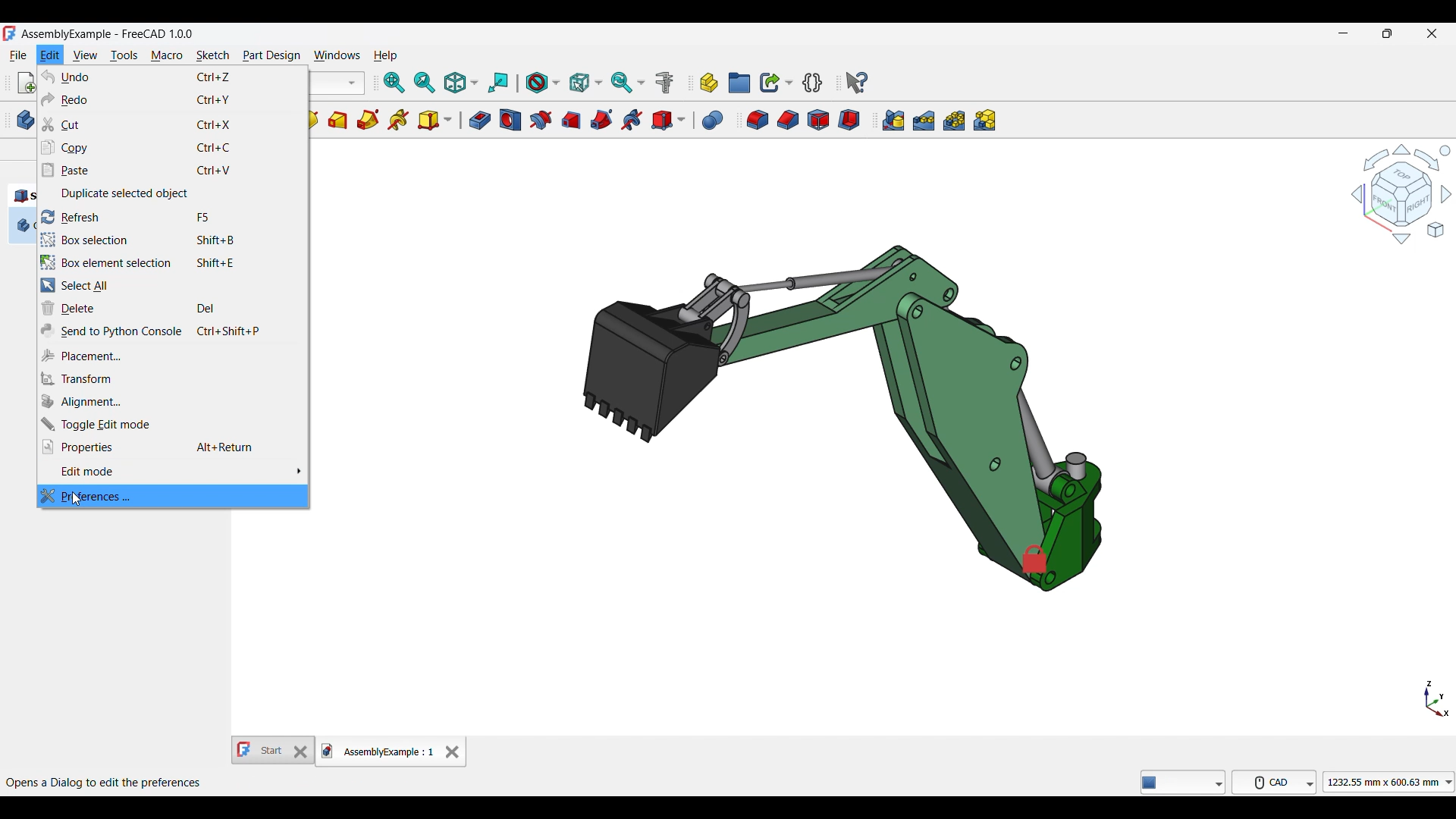 This screenshot has width=1456, height=819. Describe the element at coordinates (510, 120) in the screenshot. I see `Hole` at that location.